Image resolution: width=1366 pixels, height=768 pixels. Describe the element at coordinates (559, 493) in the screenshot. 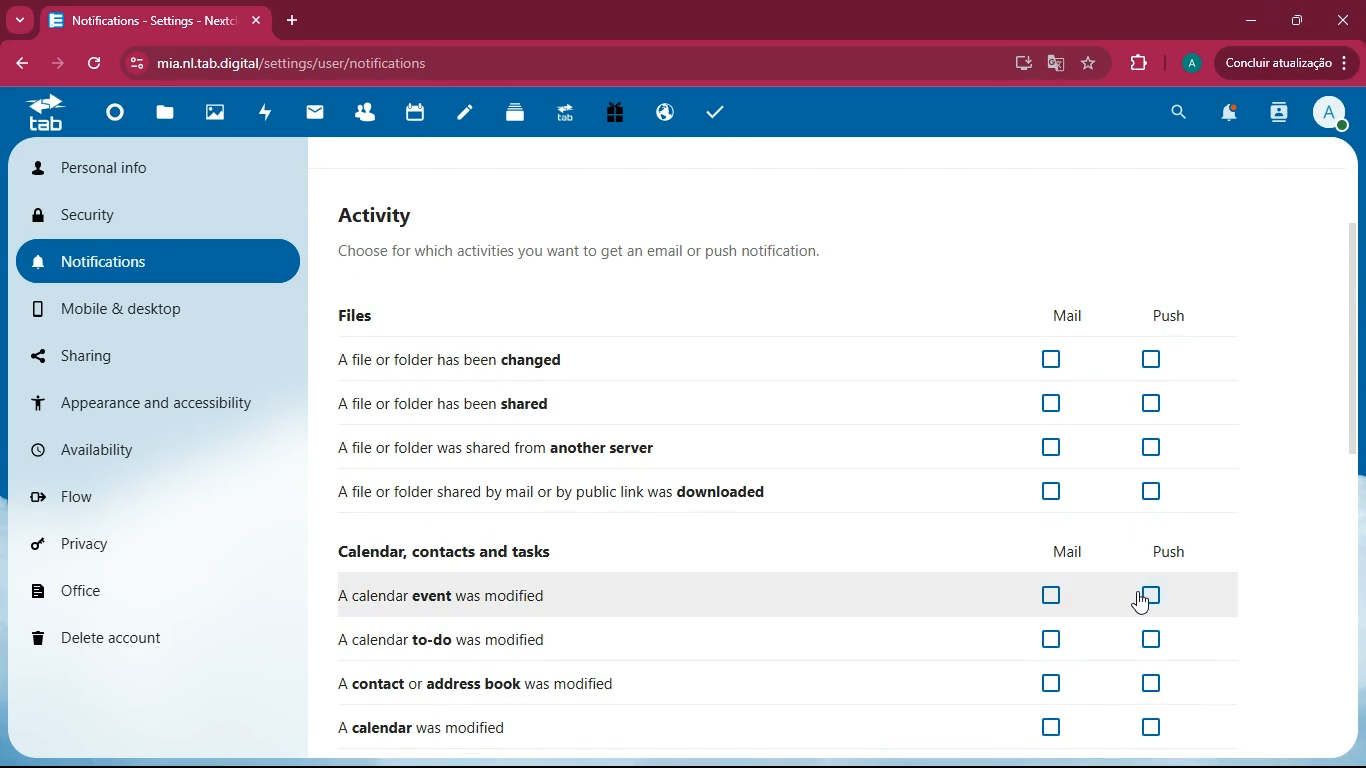

I see `A file or folder shared by mail or by public link was downloaded` at that location.